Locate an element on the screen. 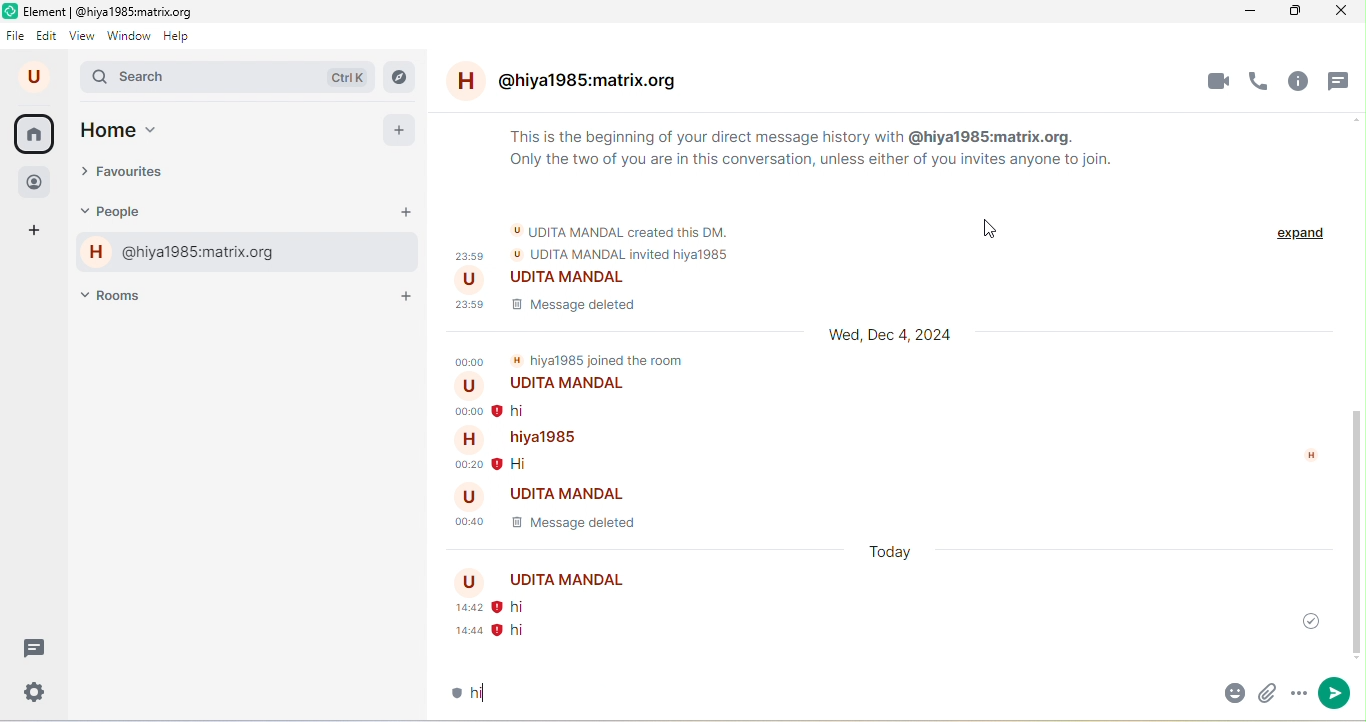  voice call is located at coordinates (1261, 80).